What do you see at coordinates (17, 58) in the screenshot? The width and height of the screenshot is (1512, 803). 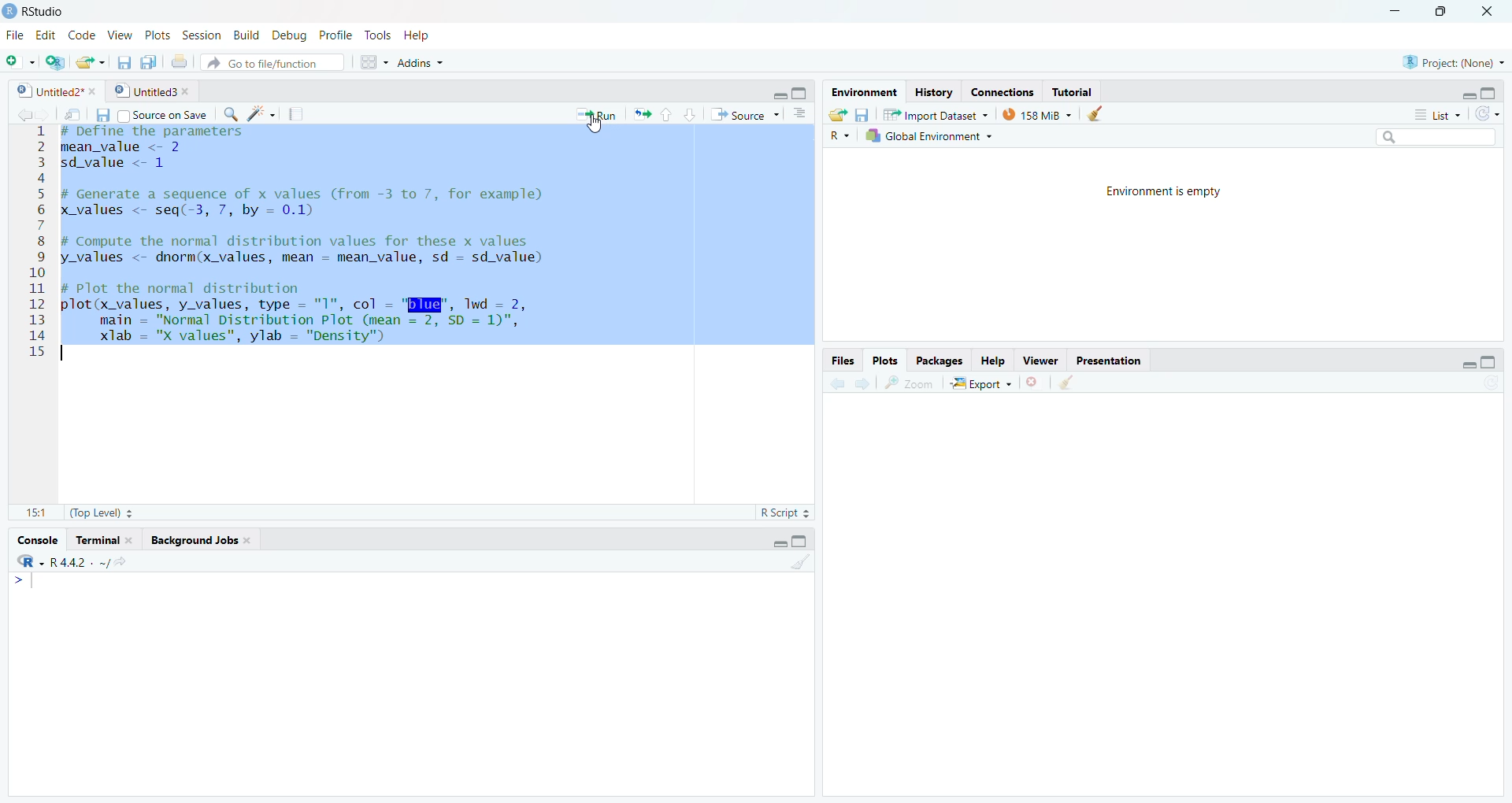 I see `New file` at bounding box center [17, 58].